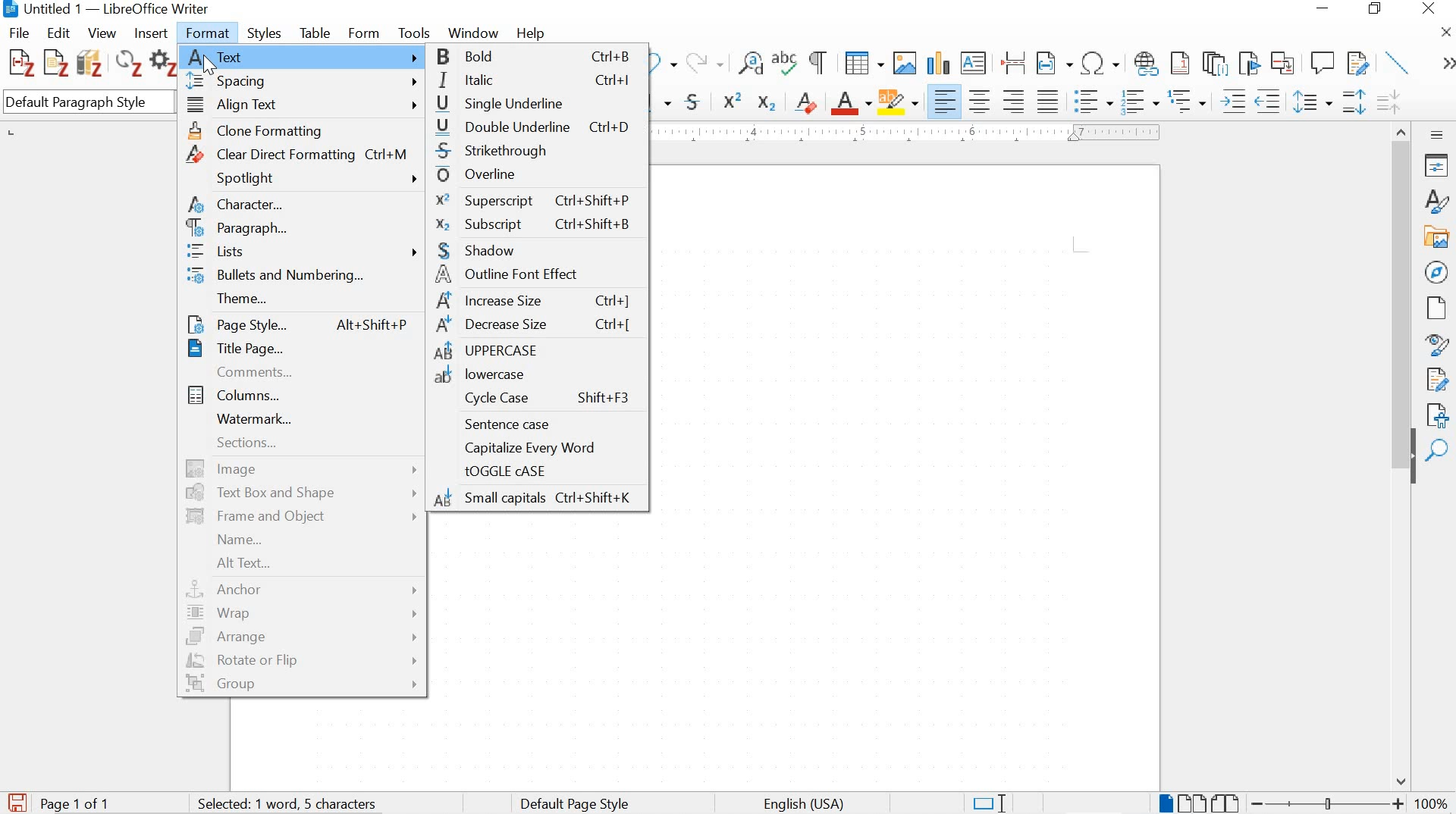  What do you see at coordinates (17, 800) in the screenshot?
I see `save` at bounding box center [17, 800].